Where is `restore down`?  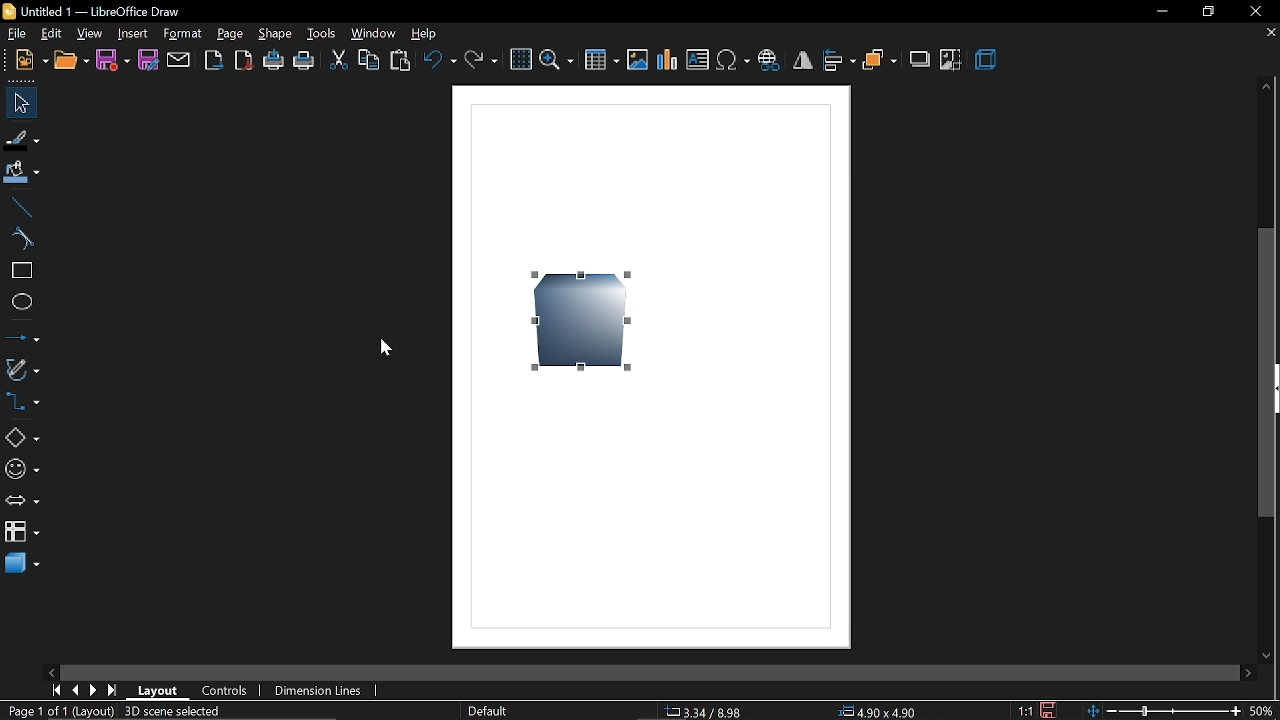 restore down is located at coordinates (1206, 14).